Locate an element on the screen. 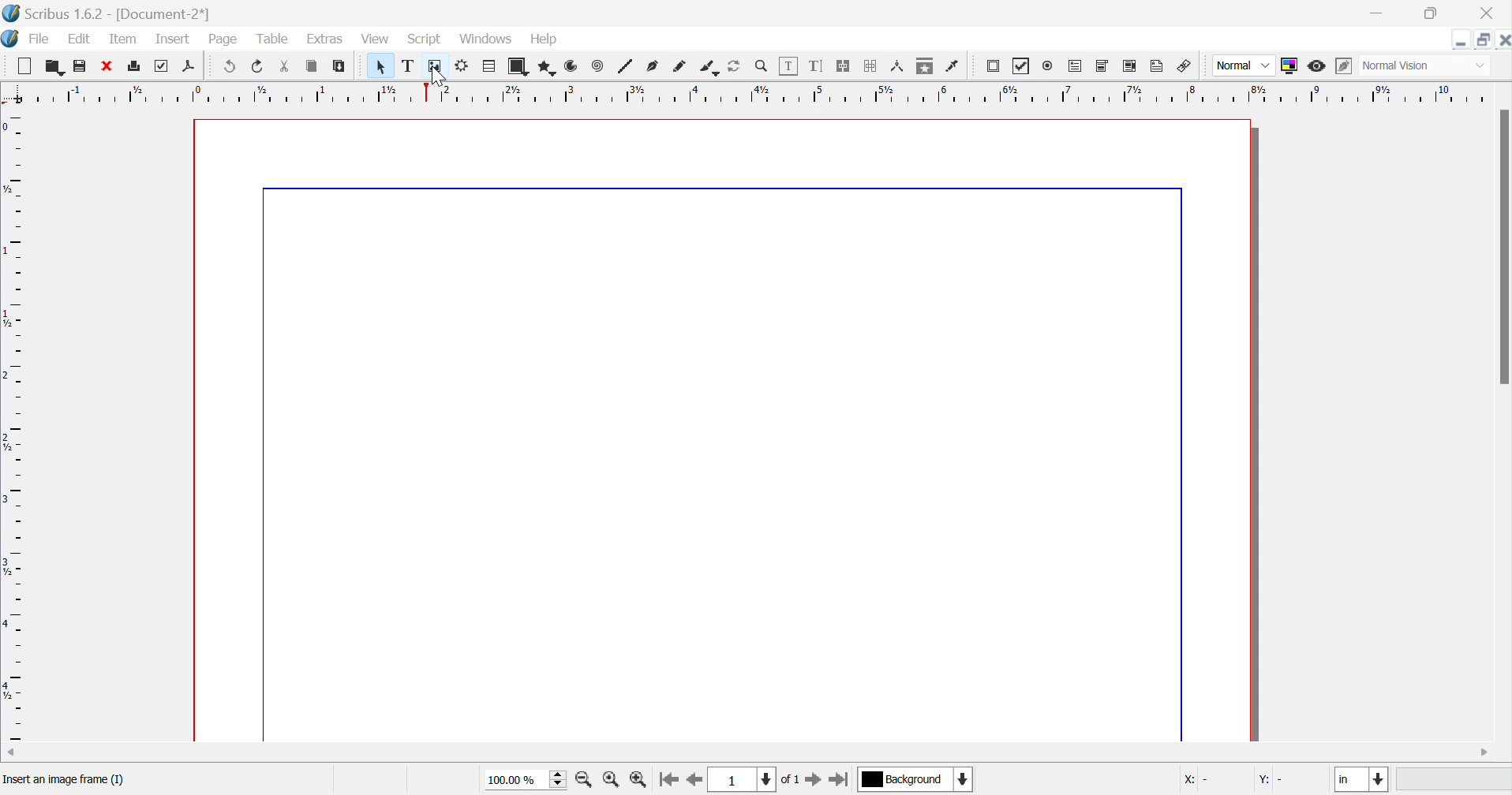 The height and width of the screenshot is (795, 1512). render frame is located at coordinates (462, 65).